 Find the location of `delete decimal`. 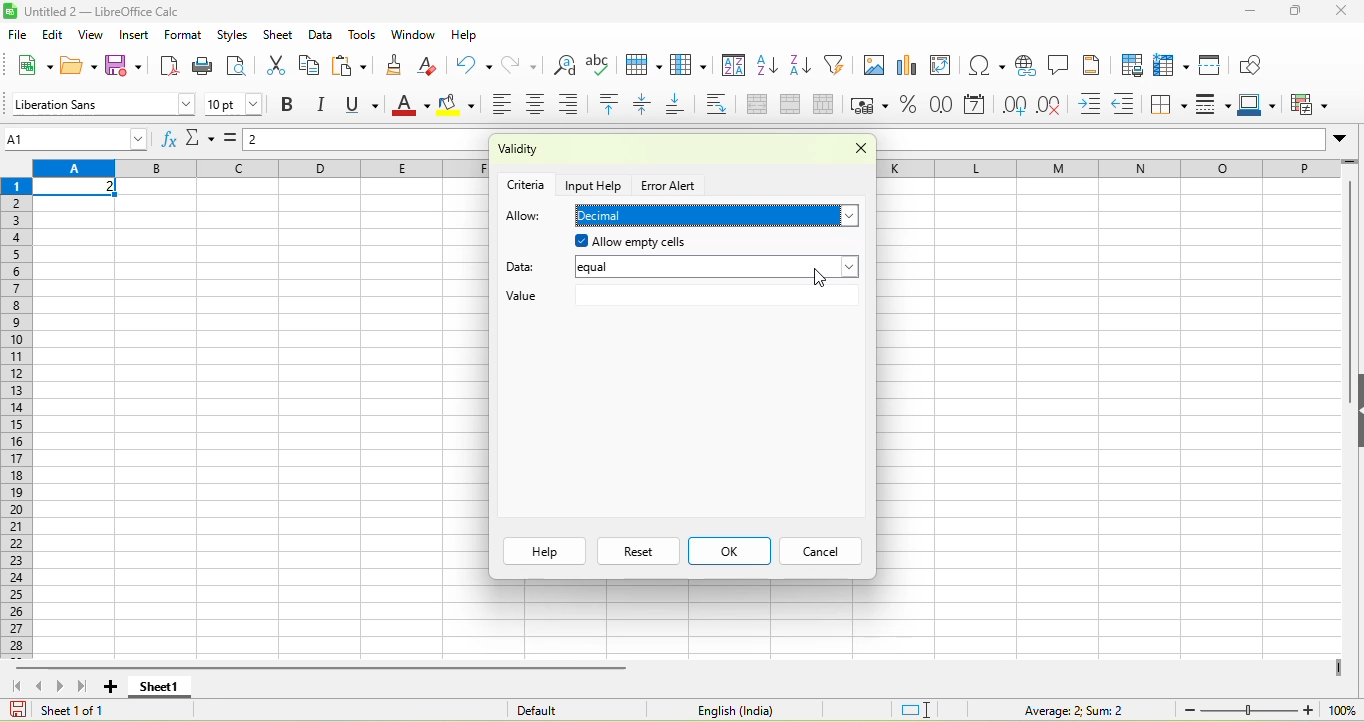

delete decimal is located at coordinates (1057, 106).